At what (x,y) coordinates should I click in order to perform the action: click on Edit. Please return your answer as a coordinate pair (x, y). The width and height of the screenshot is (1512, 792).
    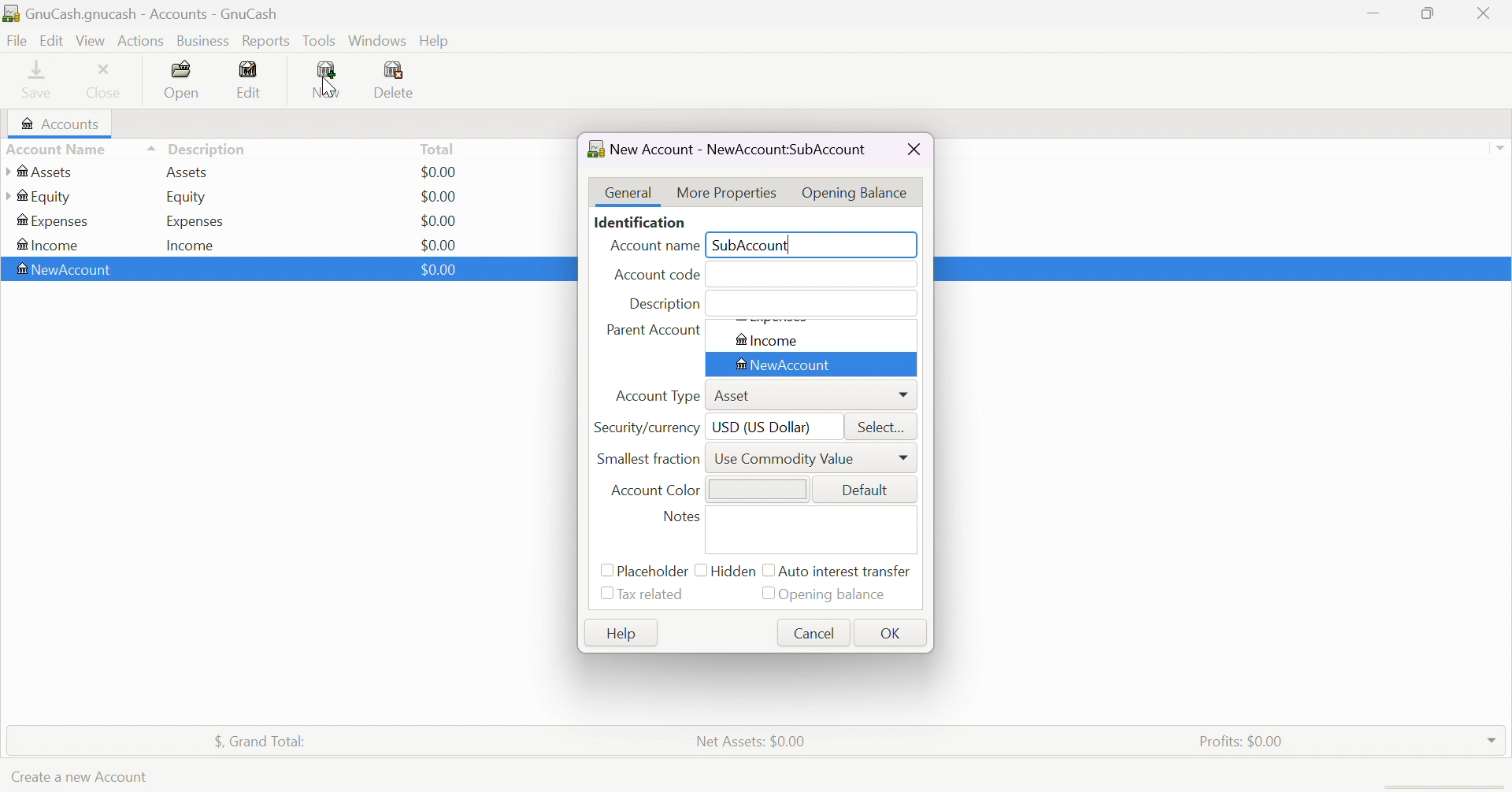
    Looking at the image, I should click on (249, 80).